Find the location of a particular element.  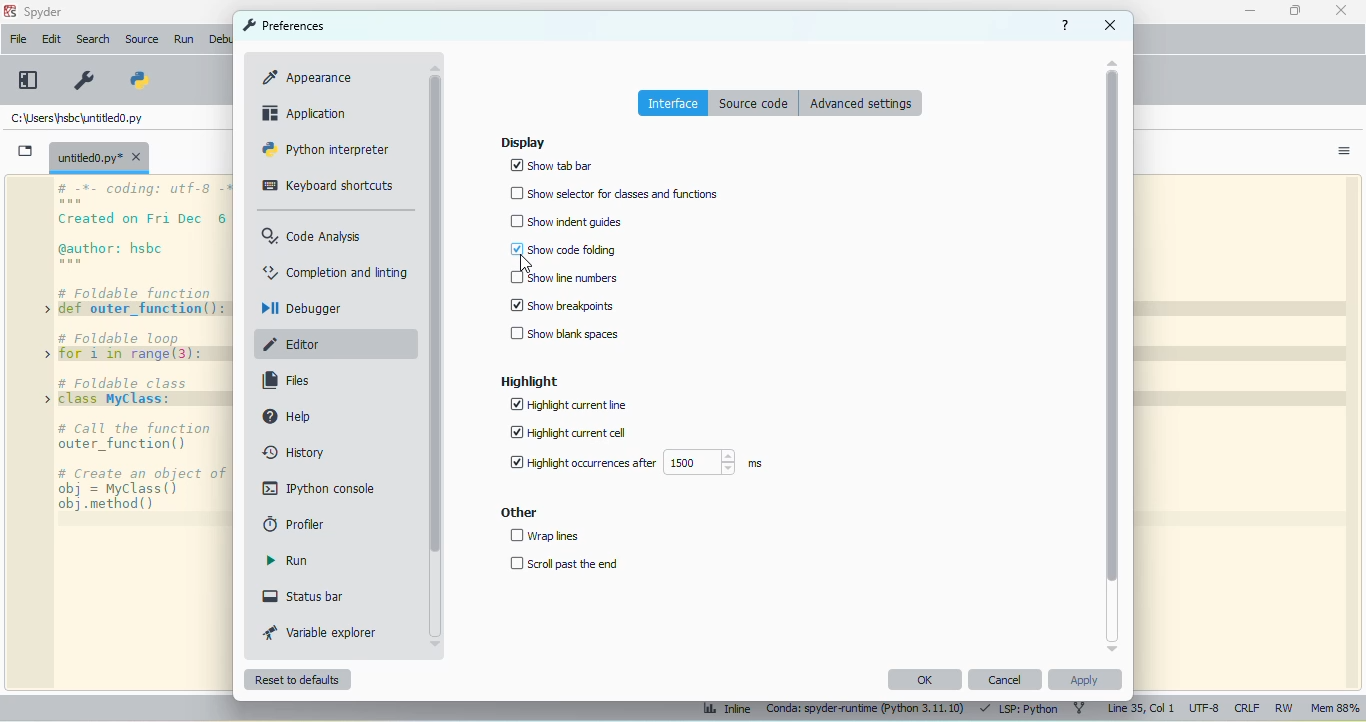

display is located at coordinates (522, 142).